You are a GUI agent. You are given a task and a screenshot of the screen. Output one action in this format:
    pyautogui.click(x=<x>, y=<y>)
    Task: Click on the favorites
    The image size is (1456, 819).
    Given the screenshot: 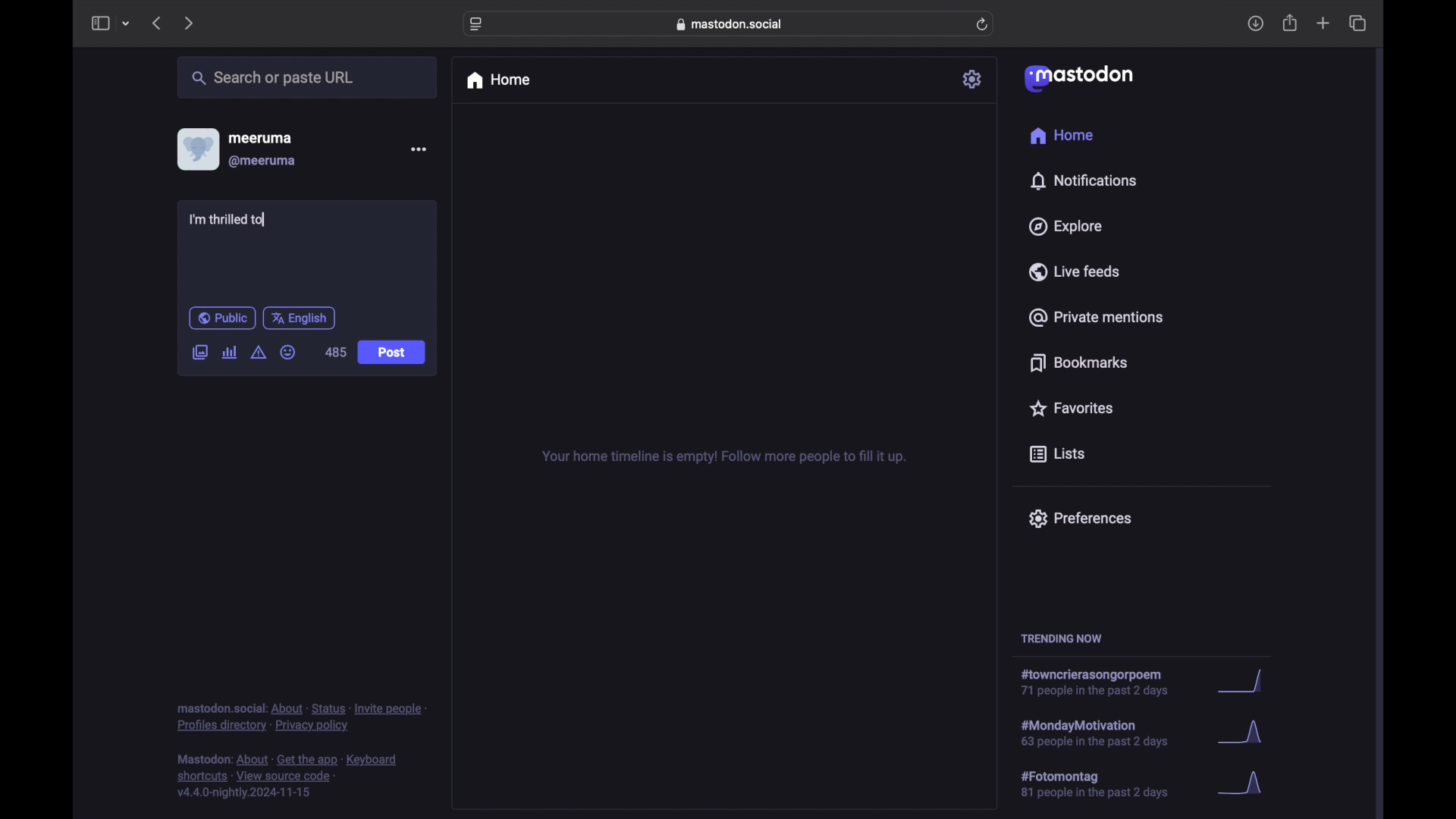 What is the action you would take?
    pyautogui.click(x=1071, y=408)
    